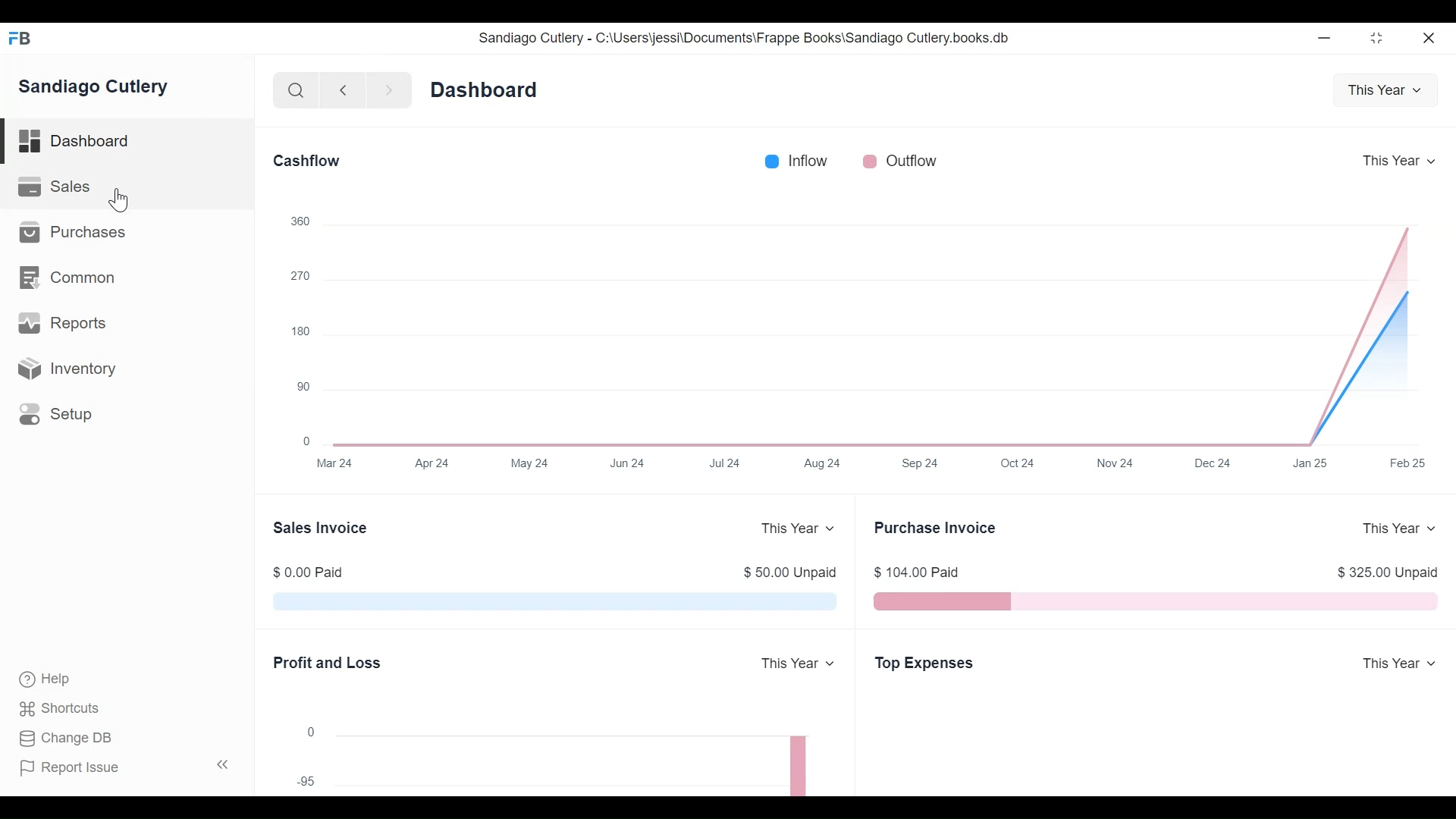  What do you see at coordinates (67, 736) in the screenshot?
I see `Change DB` at bounding box center [67, 736].